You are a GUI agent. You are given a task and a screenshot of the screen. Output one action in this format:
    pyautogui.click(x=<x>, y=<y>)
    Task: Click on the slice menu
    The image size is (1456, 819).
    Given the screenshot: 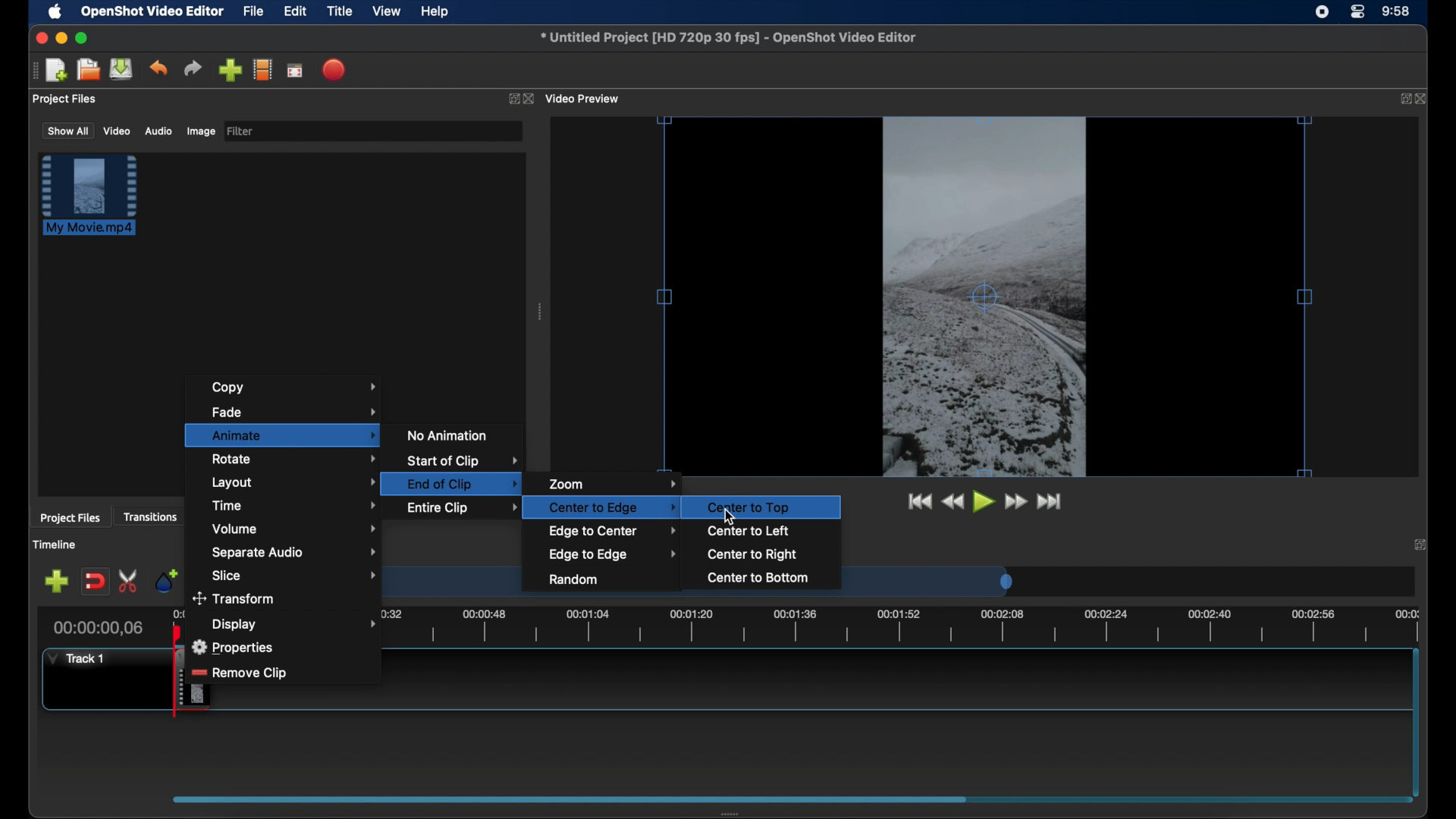 What is the action you would take?
    pyautogui.click(x=294, y=576)
    